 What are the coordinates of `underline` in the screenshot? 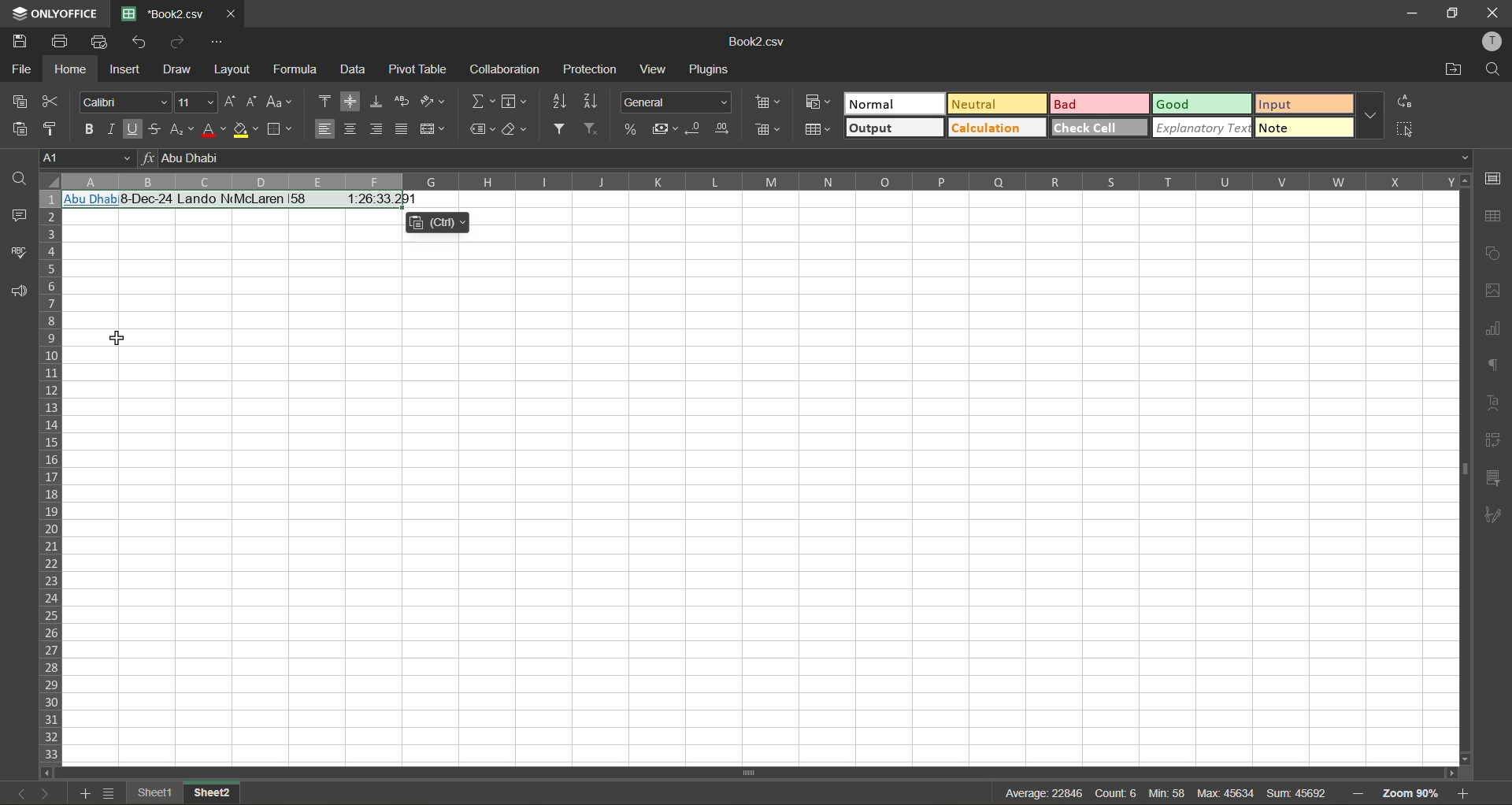 It's located at (133, 131).